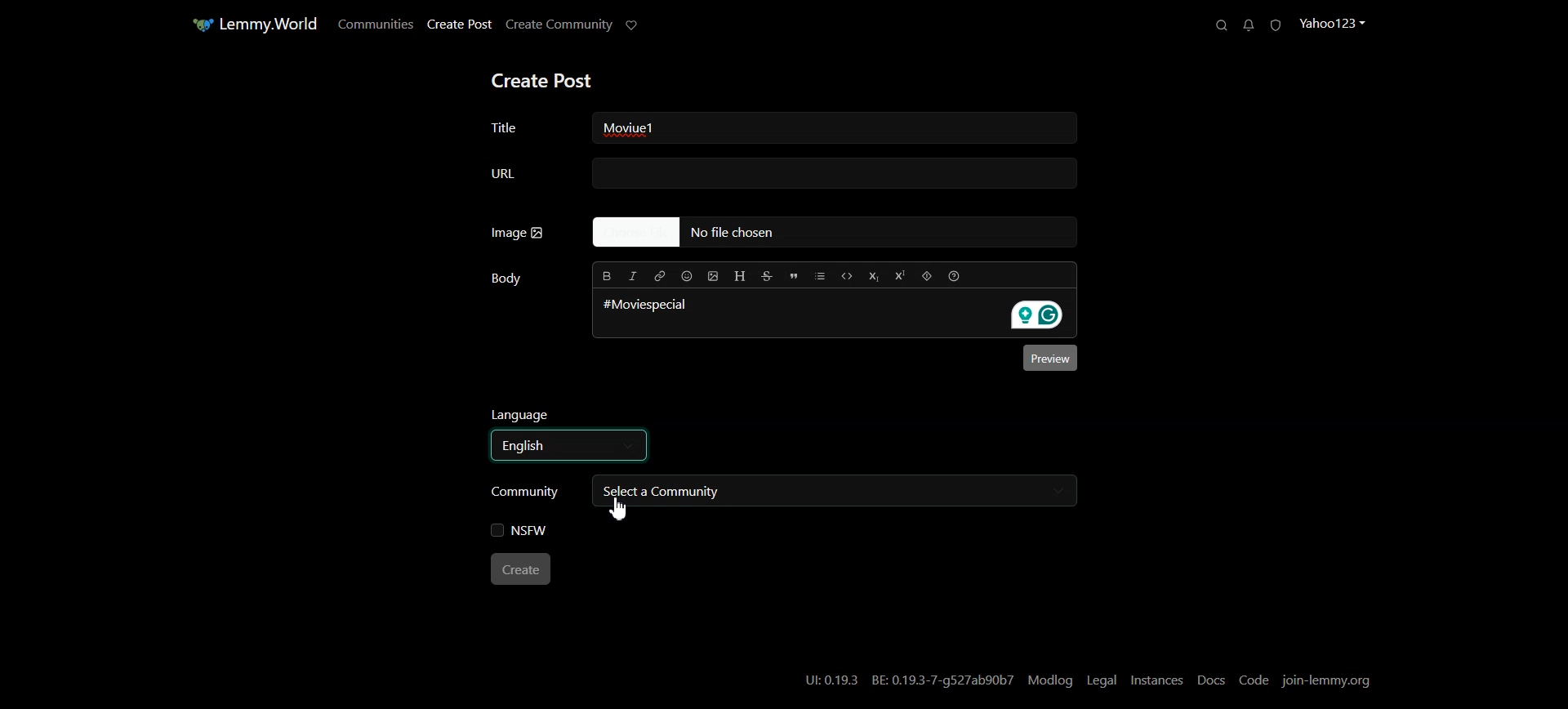 Image resolution: width=1568 pixels, height=709 pixels. I want to click on Create, so click(523, 570).